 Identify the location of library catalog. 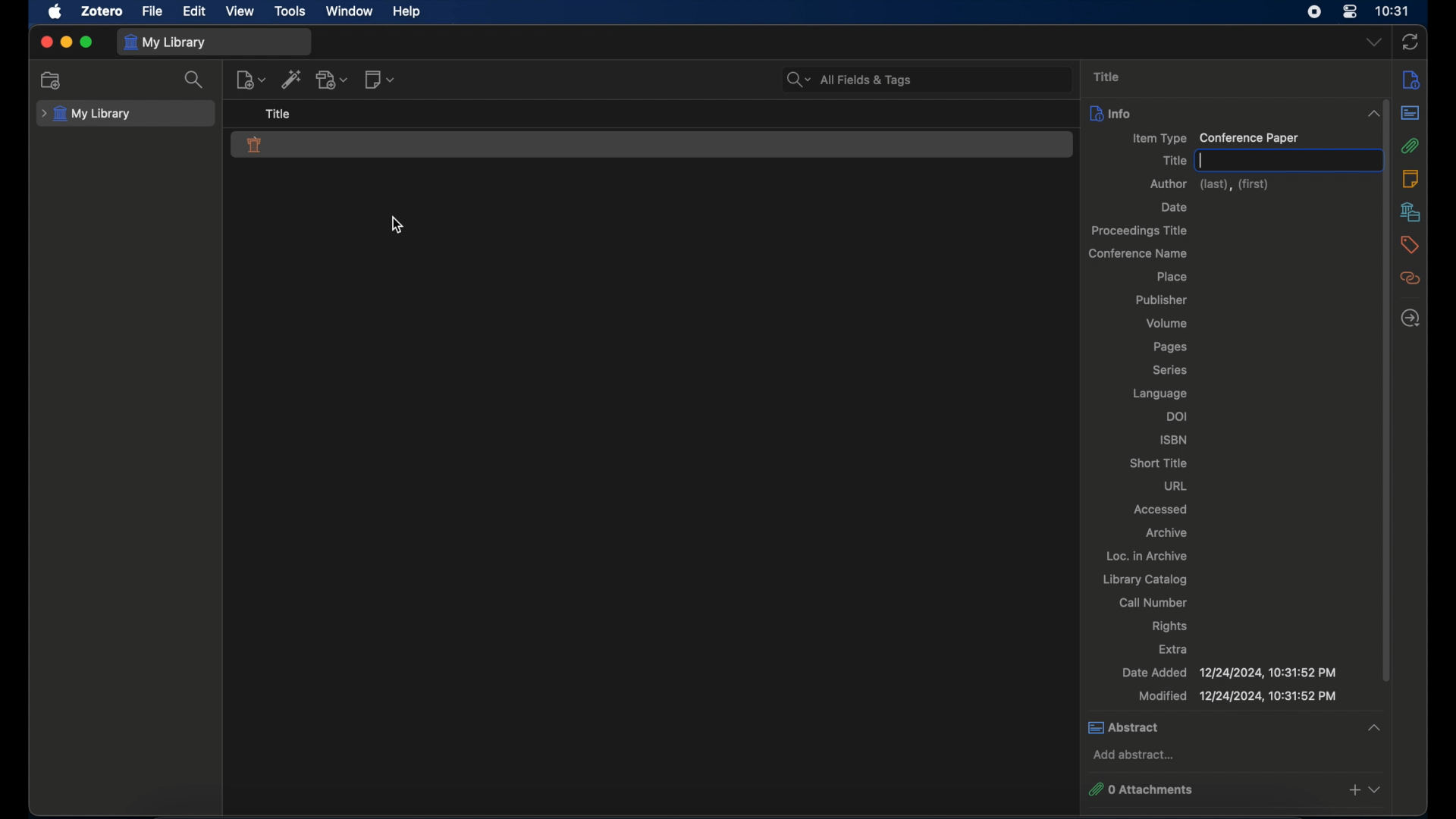
(1146, 579).